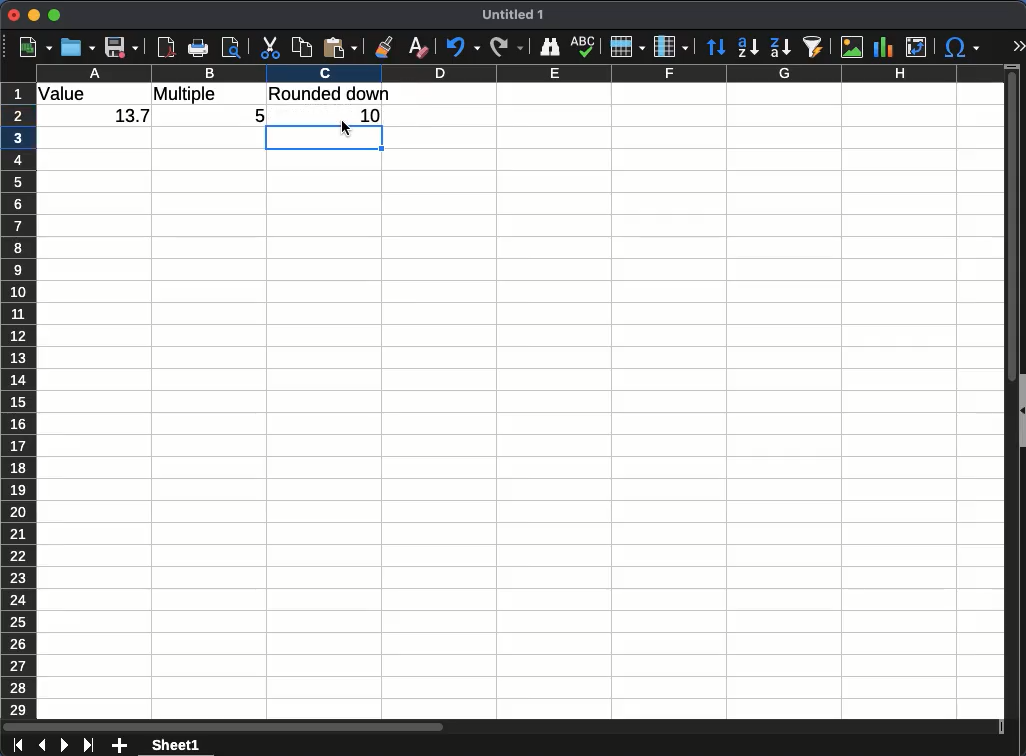 The image size is (1026, 756). What do you see at coordinates (514, 16) in the screenshot?
I see `Untitled 1` at bounding box center [514, 16].